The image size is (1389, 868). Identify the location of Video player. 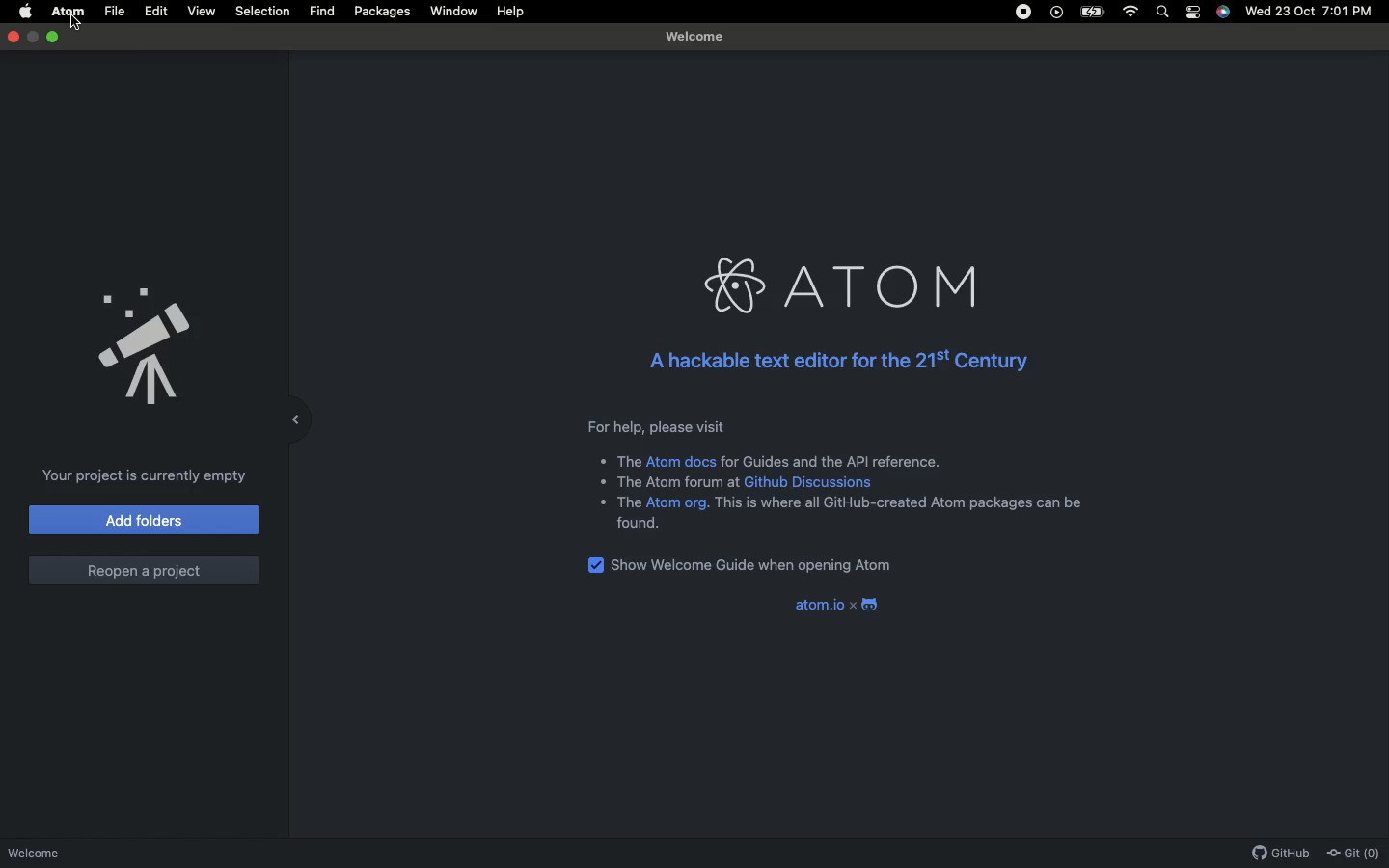
(1055, 13).